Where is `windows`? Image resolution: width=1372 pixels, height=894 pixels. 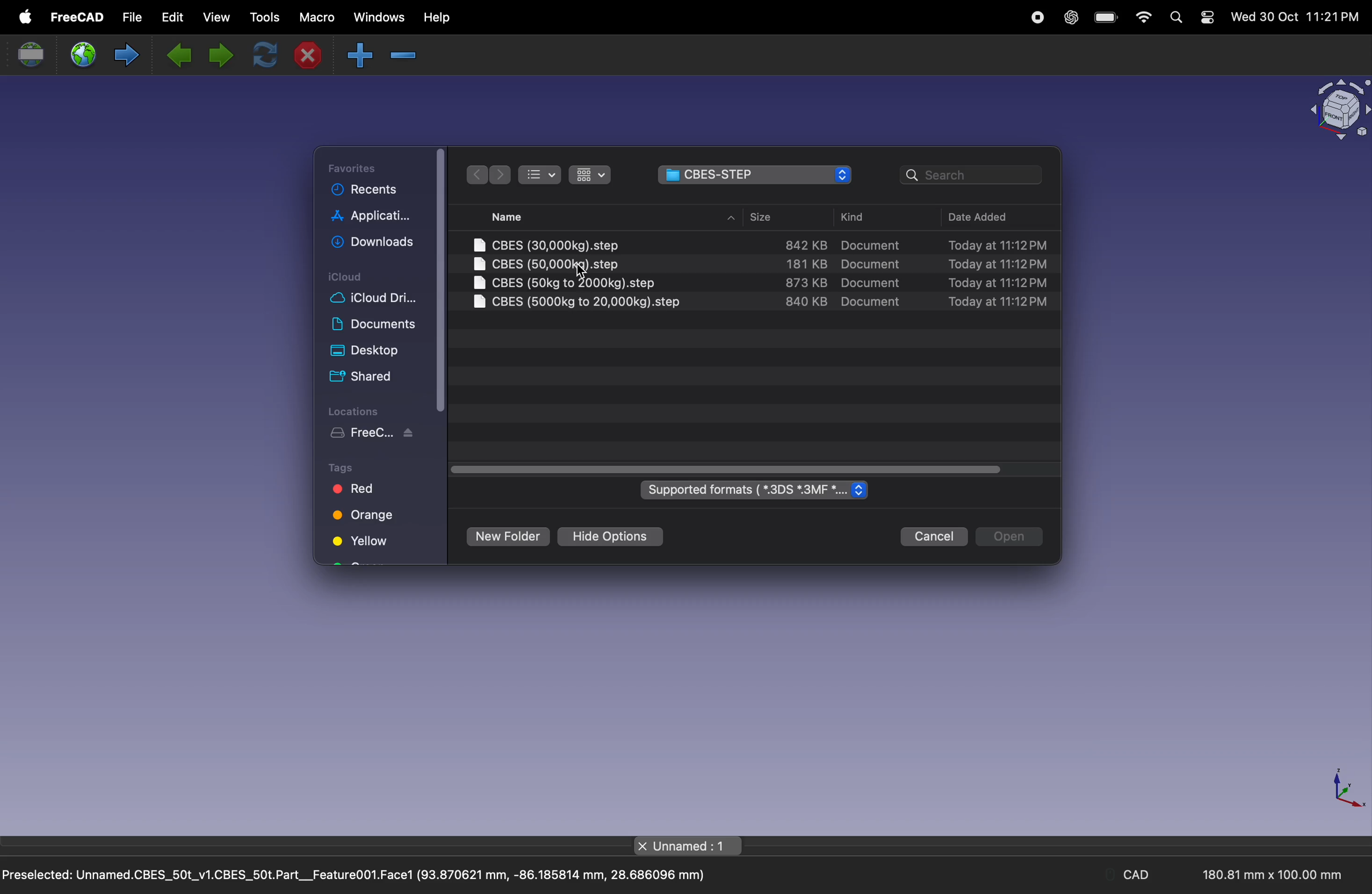
windows is located at coordinates (377, 18).